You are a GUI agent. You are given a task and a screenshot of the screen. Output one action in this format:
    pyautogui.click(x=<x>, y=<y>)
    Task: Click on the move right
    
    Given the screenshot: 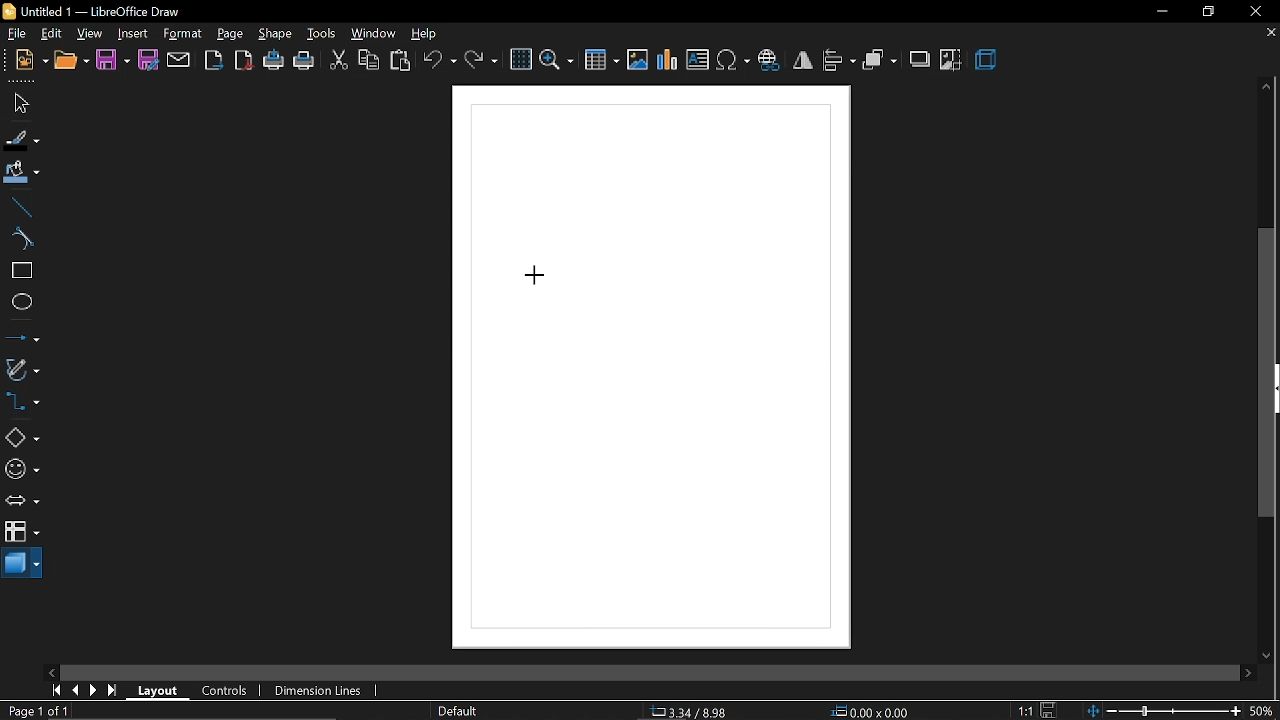 What is the action you would take?
    pyautogui.click(x=1251, y=675)
    